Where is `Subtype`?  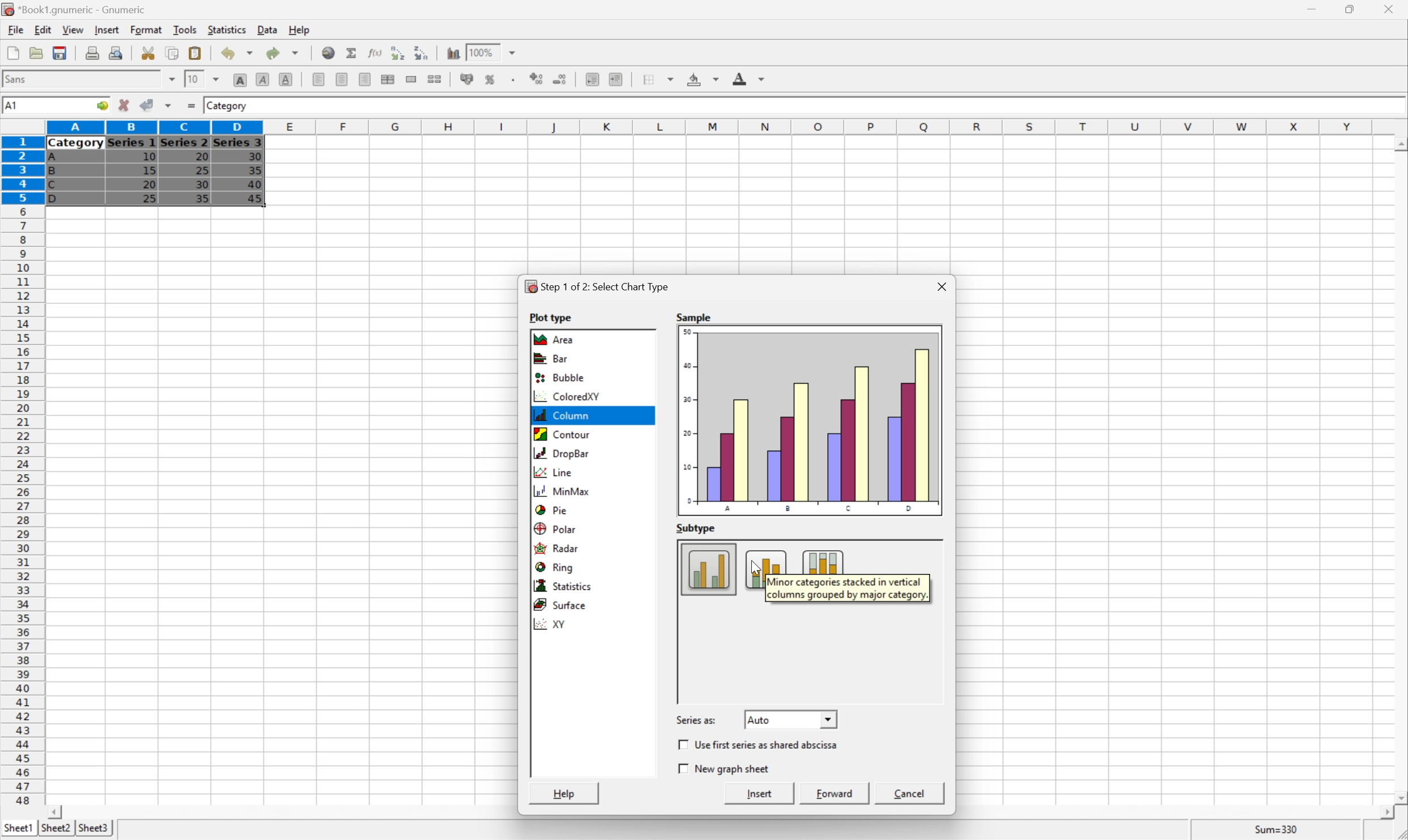 Subtype is located at coordinates (696, 529).